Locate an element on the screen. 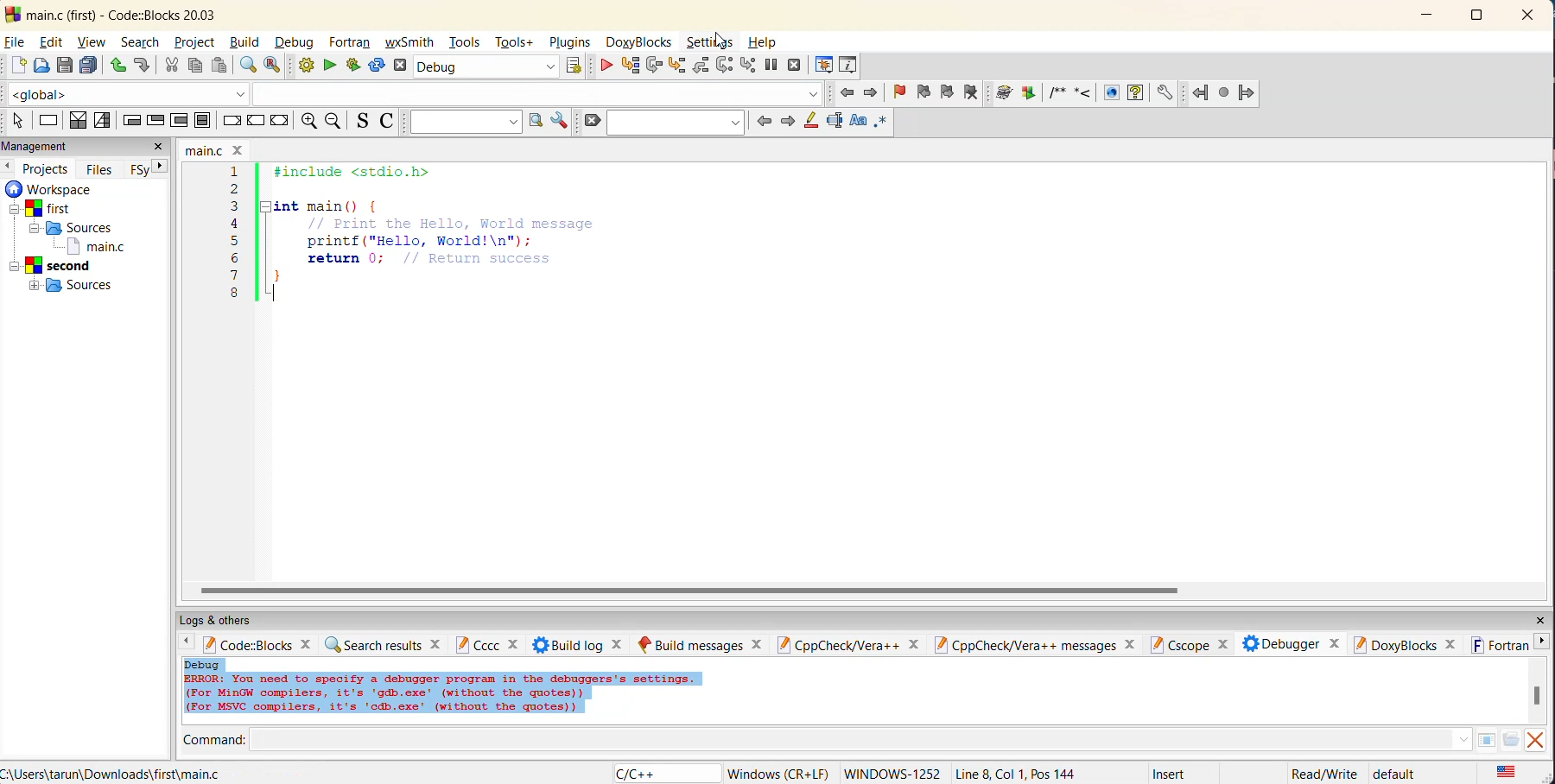  break instruction is located at coordinates (229, 121).